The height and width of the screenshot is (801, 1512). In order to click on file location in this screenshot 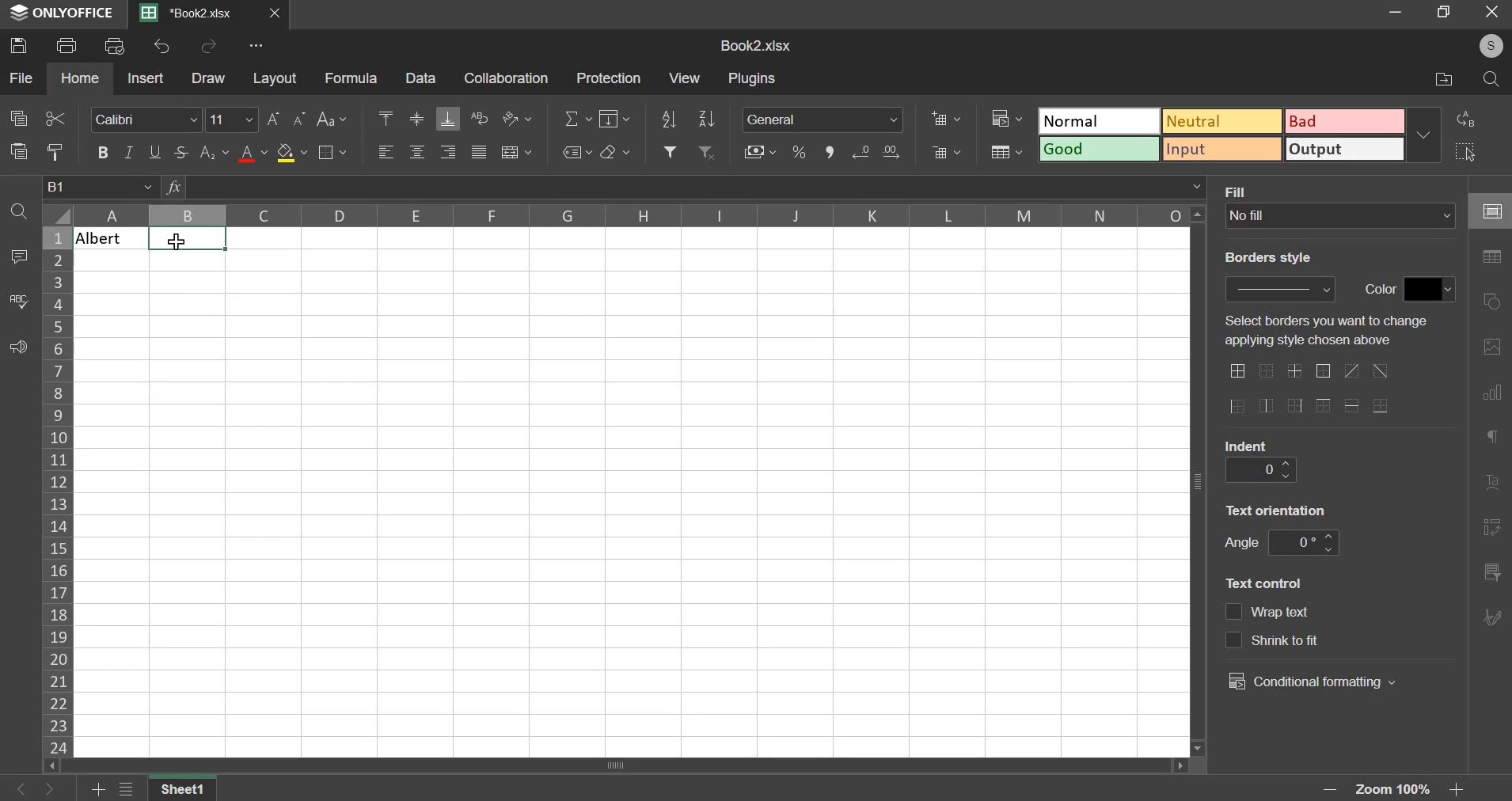, I will do `click(1434, 77)`.